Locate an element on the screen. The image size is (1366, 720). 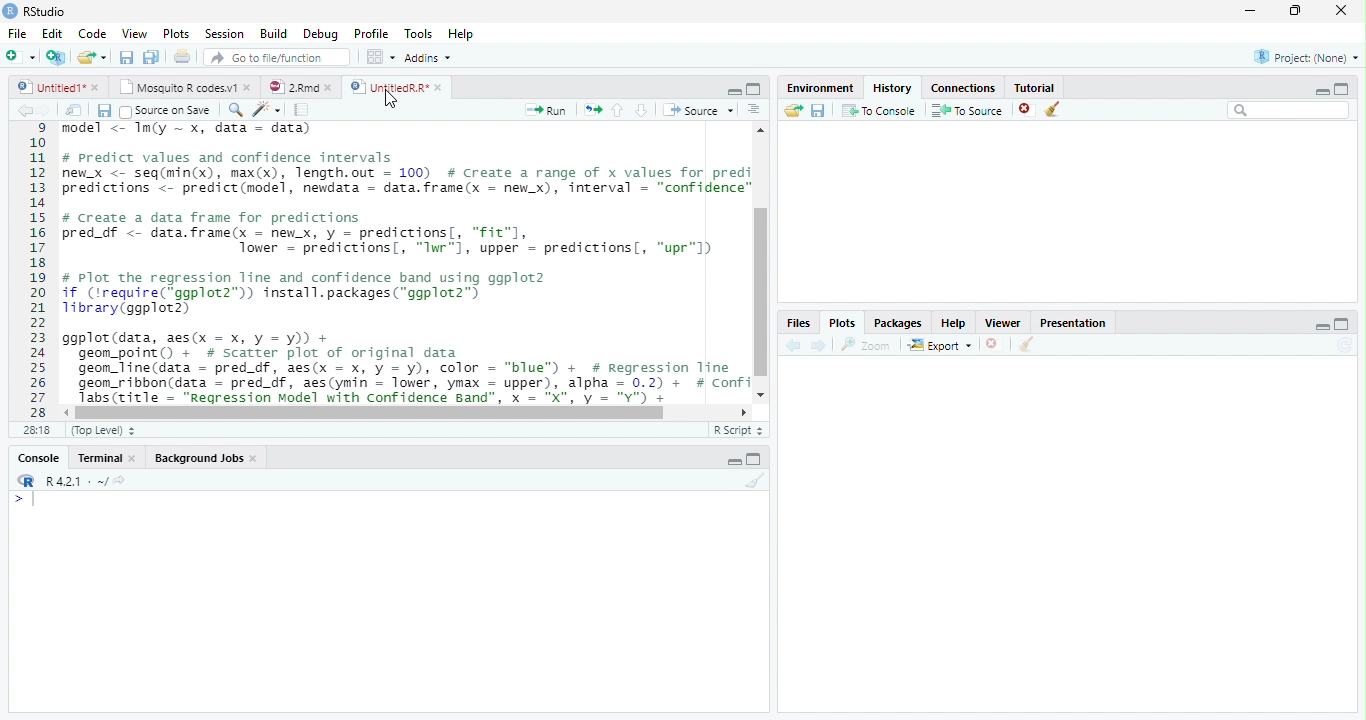
Open an existing file is located at coordinates (95, 59).